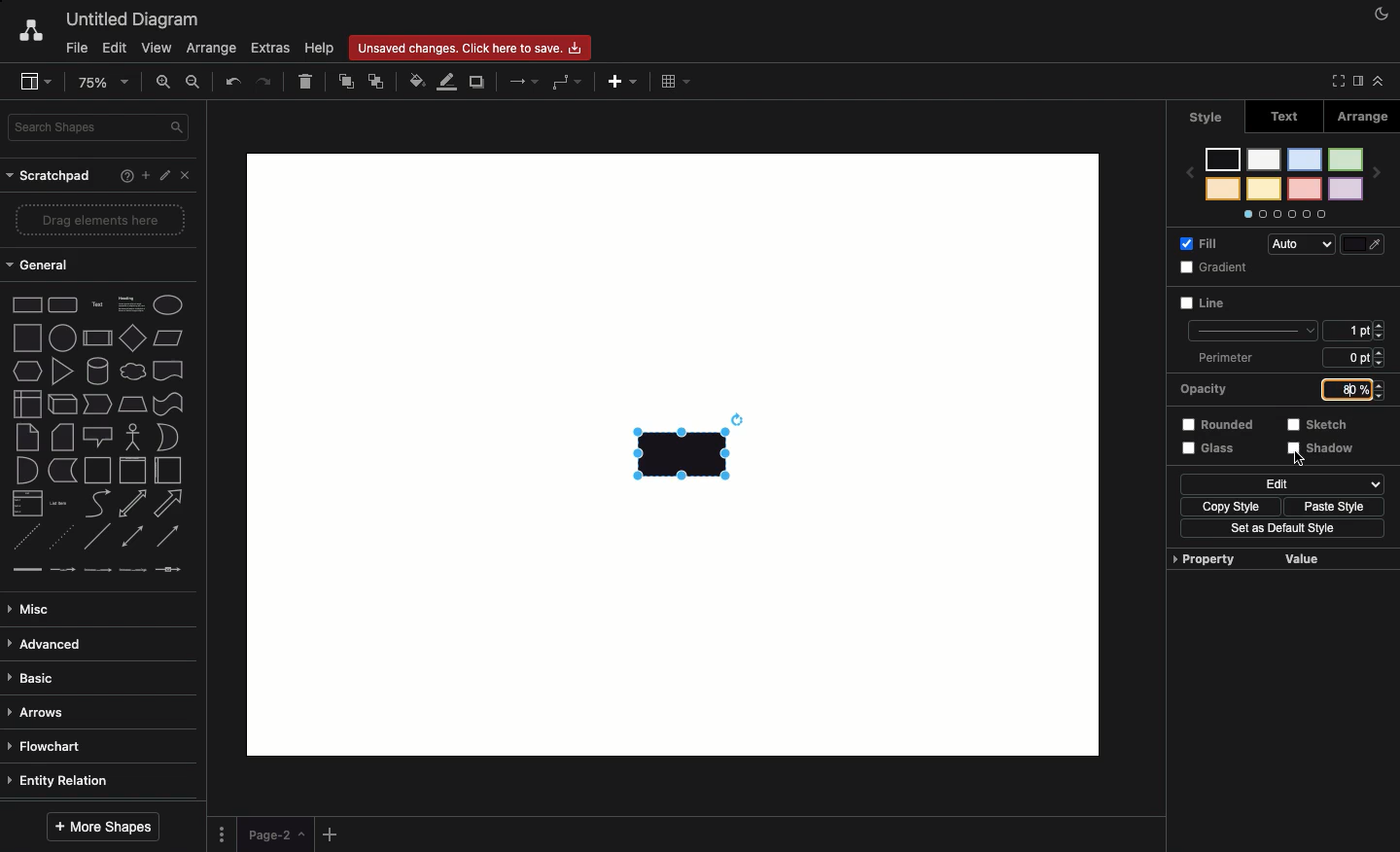 The width and height of the screenshot is (1400, 852). What do you see at coordinates (102, 83) in the screenshot?
I see `Zoom` at bounding box center [102, 83].